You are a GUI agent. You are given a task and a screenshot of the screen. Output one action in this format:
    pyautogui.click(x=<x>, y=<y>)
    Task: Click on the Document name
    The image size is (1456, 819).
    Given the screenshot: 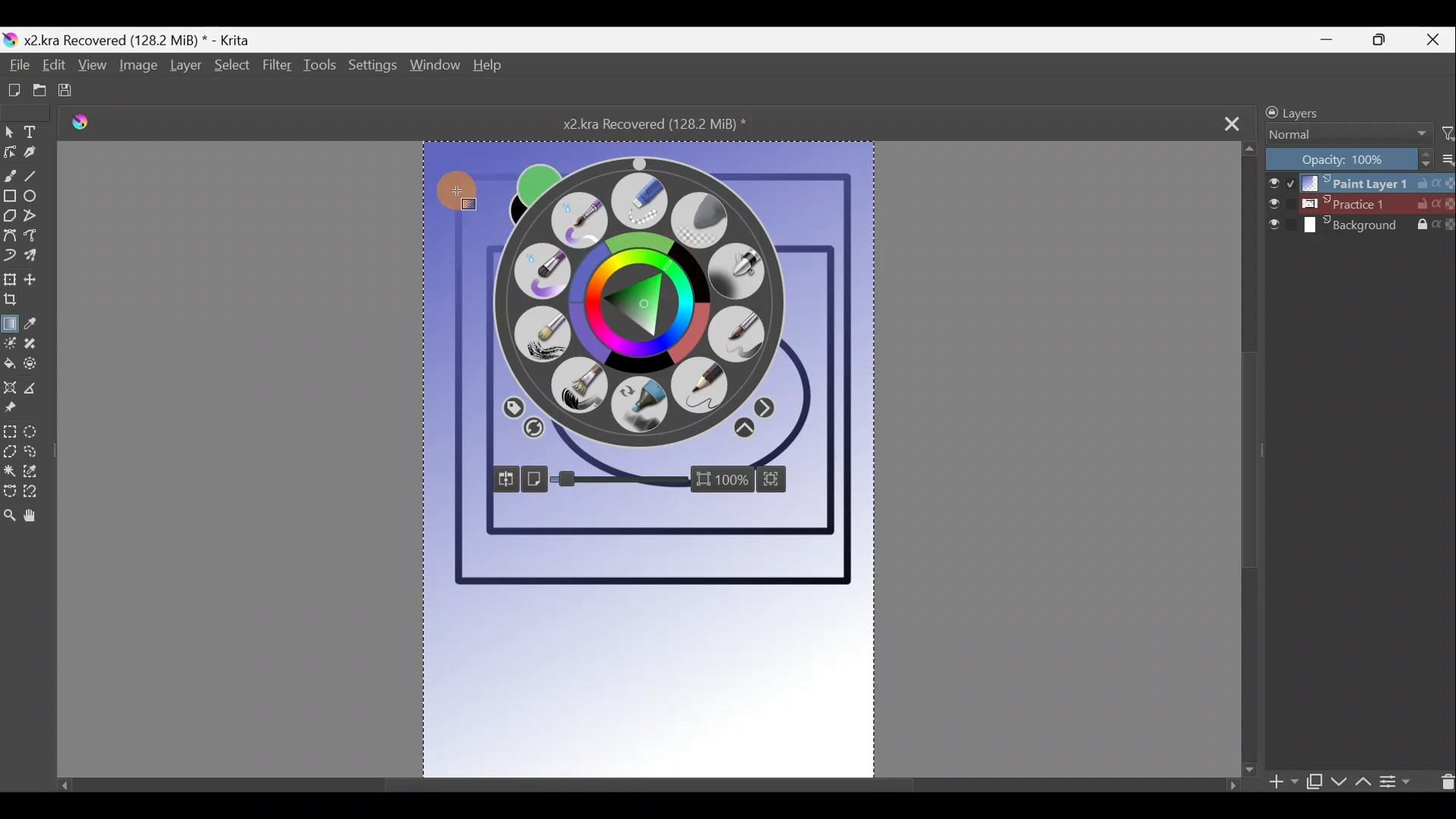 What is the action you would take?
    pyautogui.click(x=132, y=39)
    